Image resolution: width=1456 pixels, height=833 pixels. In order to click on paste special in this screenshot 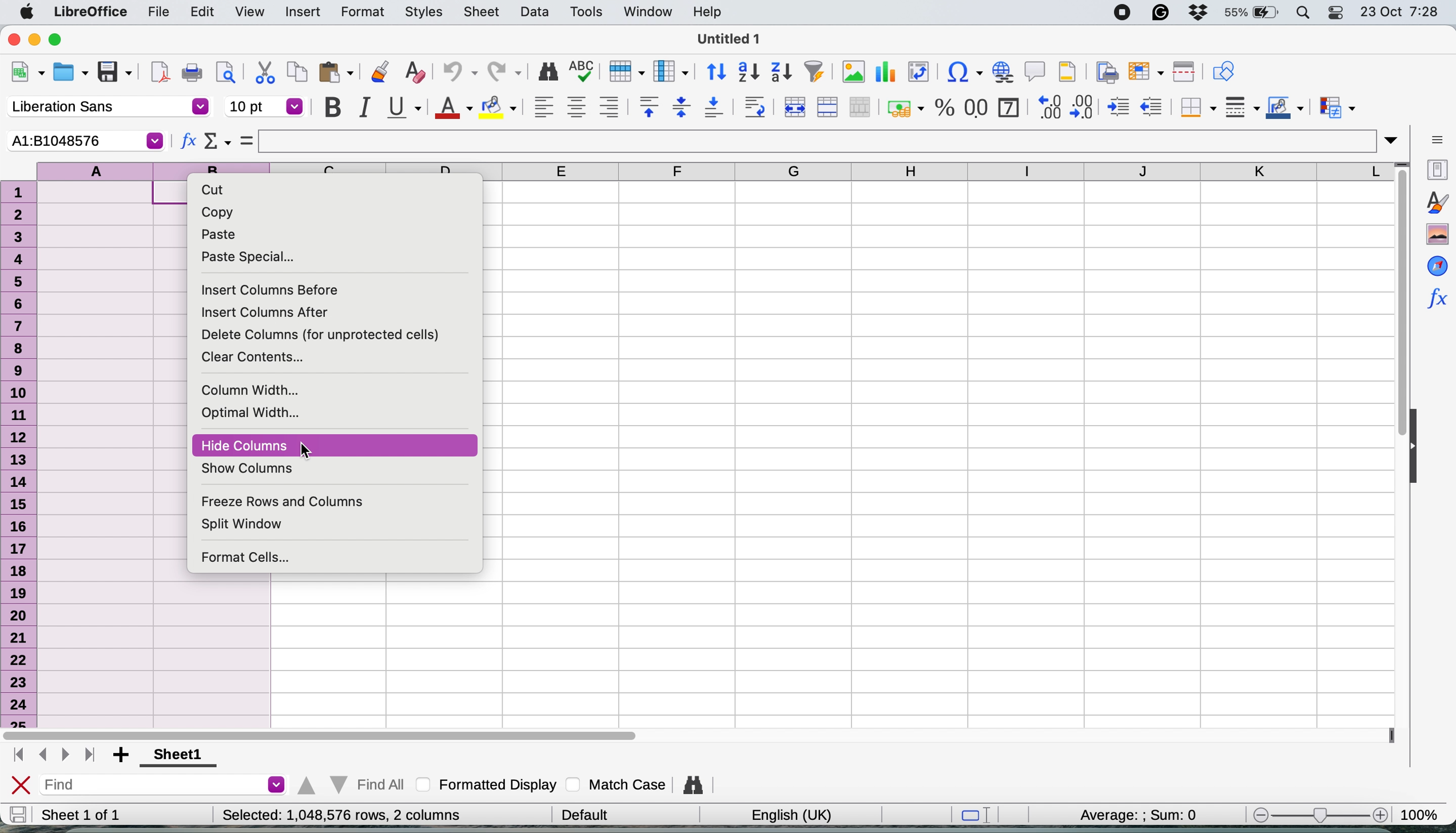, I will do `click(256, 257)`.